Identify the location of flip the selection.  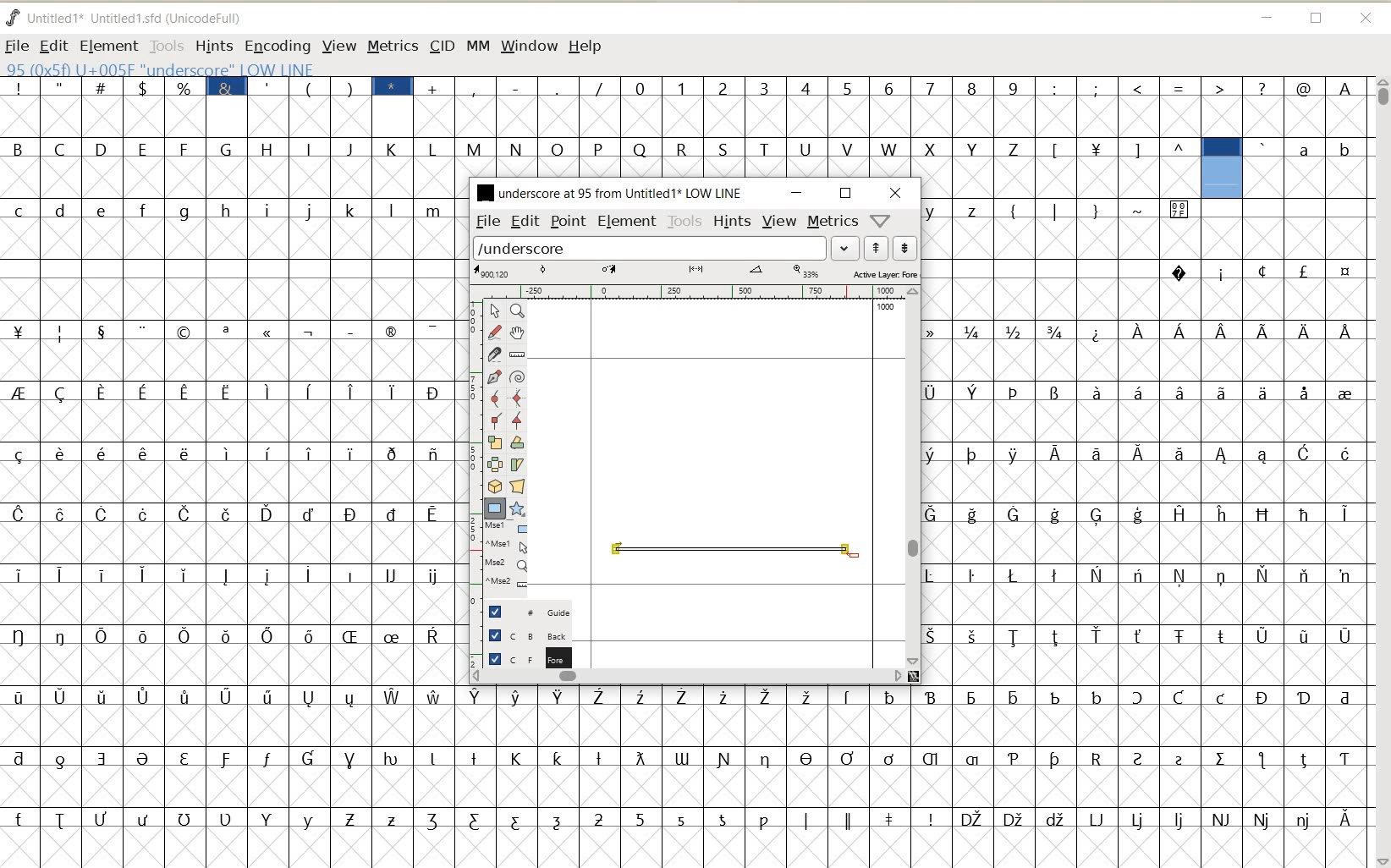
(494, 464).